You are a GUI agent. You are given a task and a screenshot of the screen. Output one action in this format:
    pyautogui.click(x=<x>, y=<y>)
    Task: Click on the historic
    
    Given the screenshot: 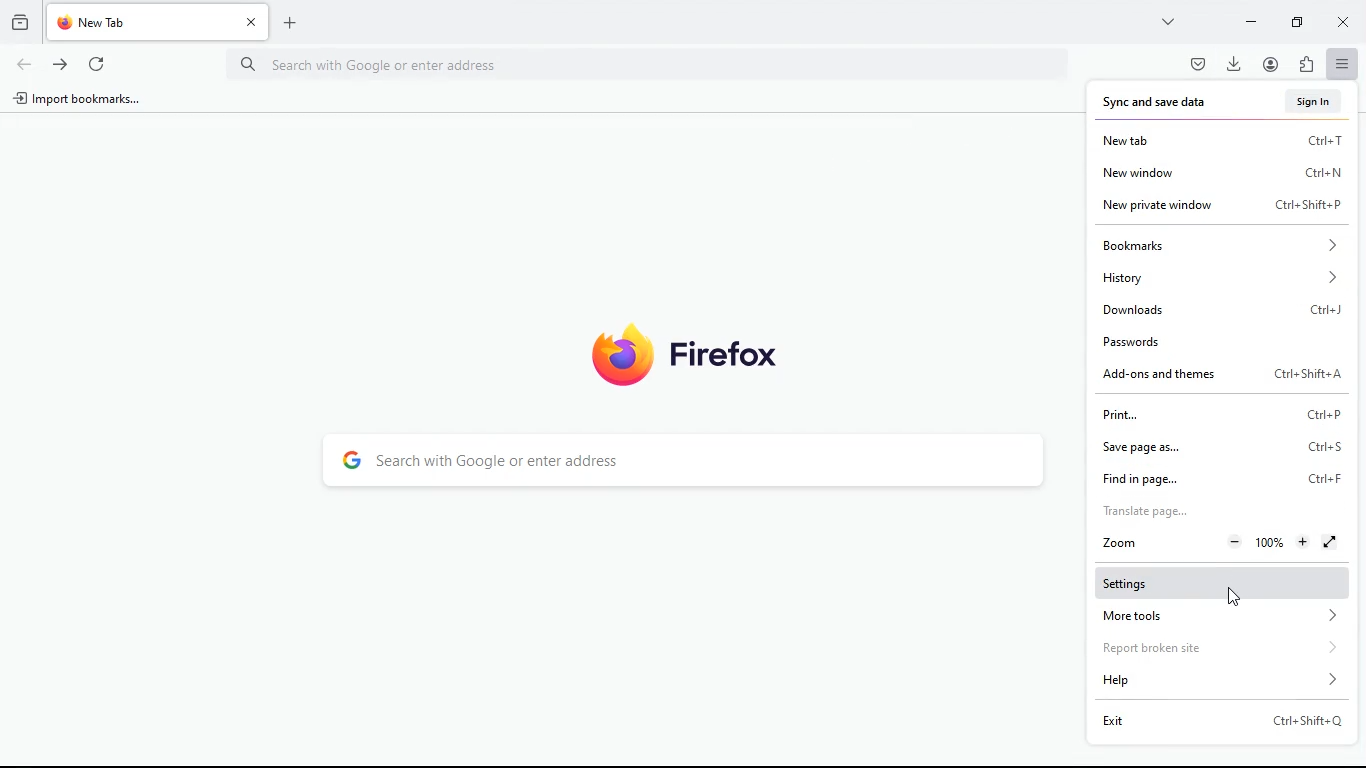 What is the action you would take?
    pyautogui.click(x=23, y=21)
    